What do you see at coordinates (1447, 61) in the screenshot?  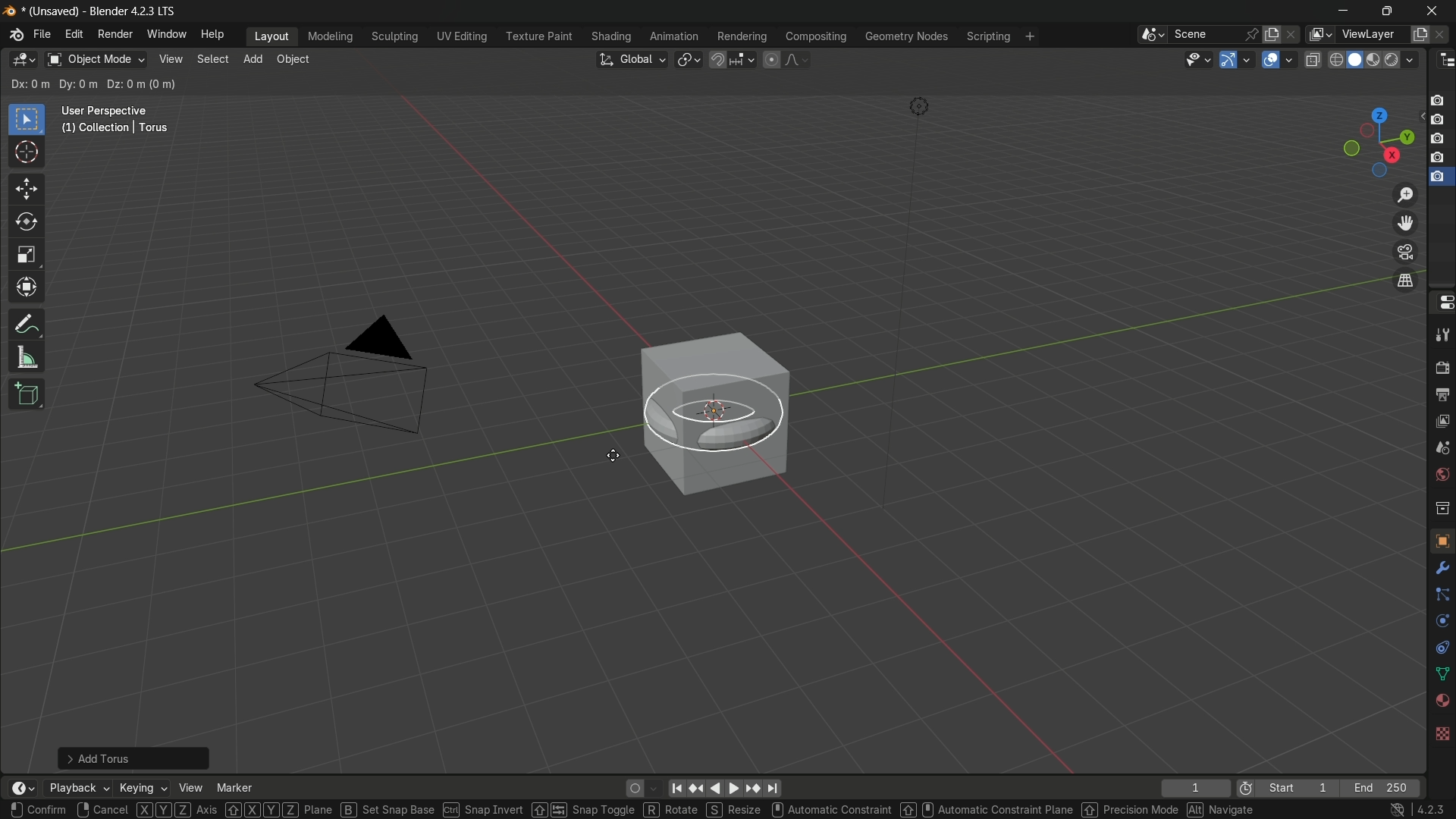 I see `outliner` at bounding box center [1447, 61].